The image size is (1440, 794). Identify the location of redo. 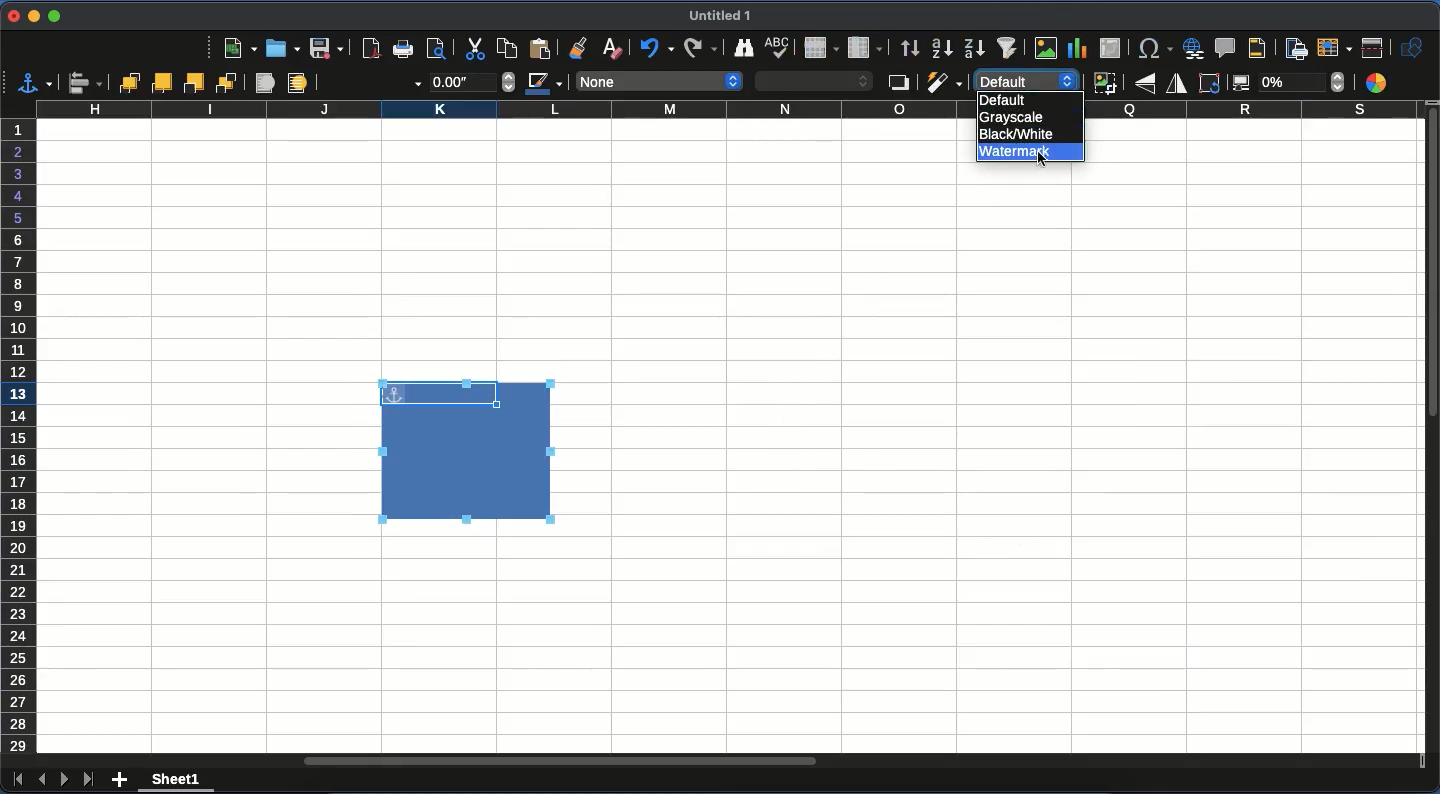
(696, 47).